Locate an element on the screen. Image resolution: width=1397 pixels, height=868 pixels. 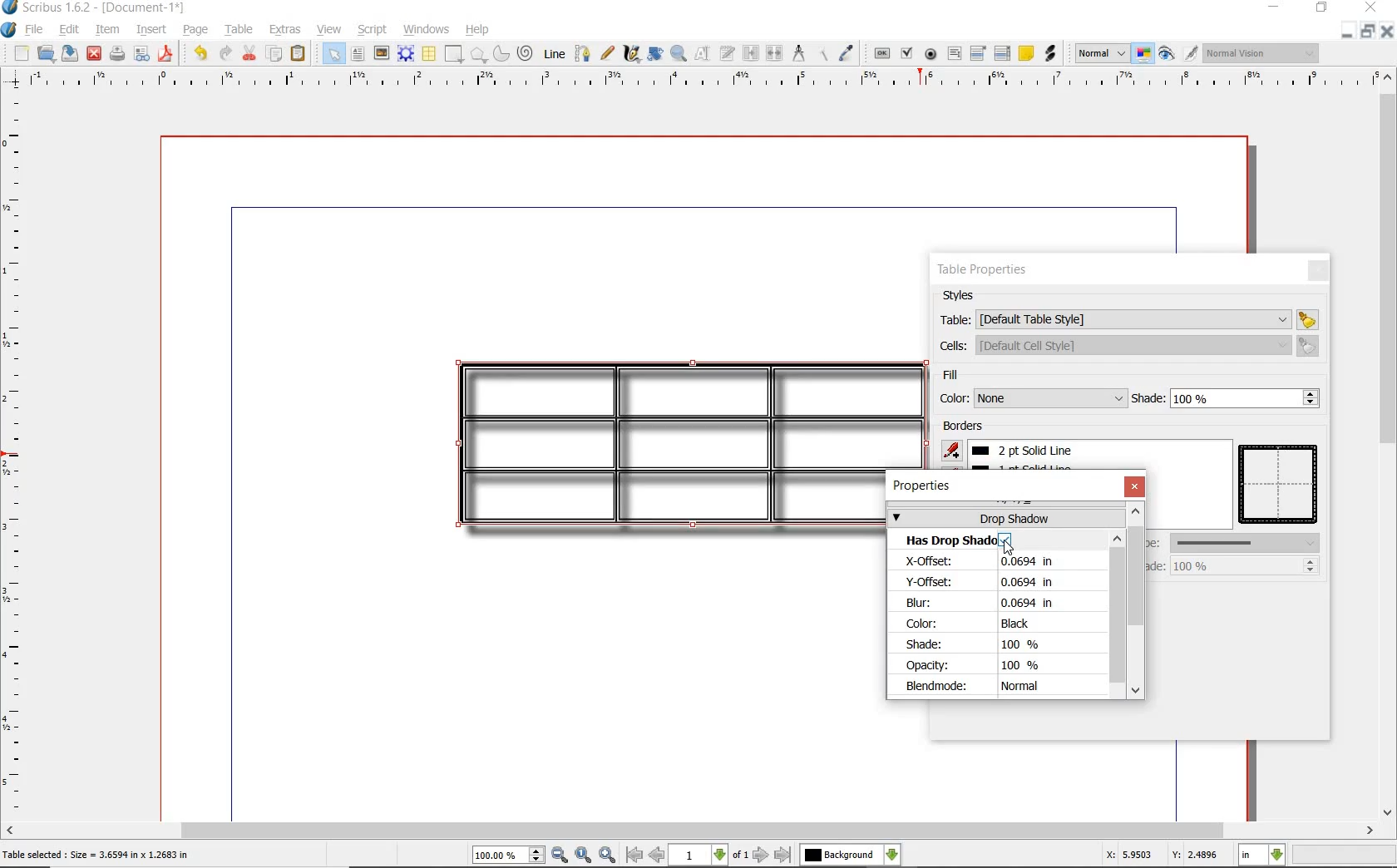
item is located at coordinates (106, 31).